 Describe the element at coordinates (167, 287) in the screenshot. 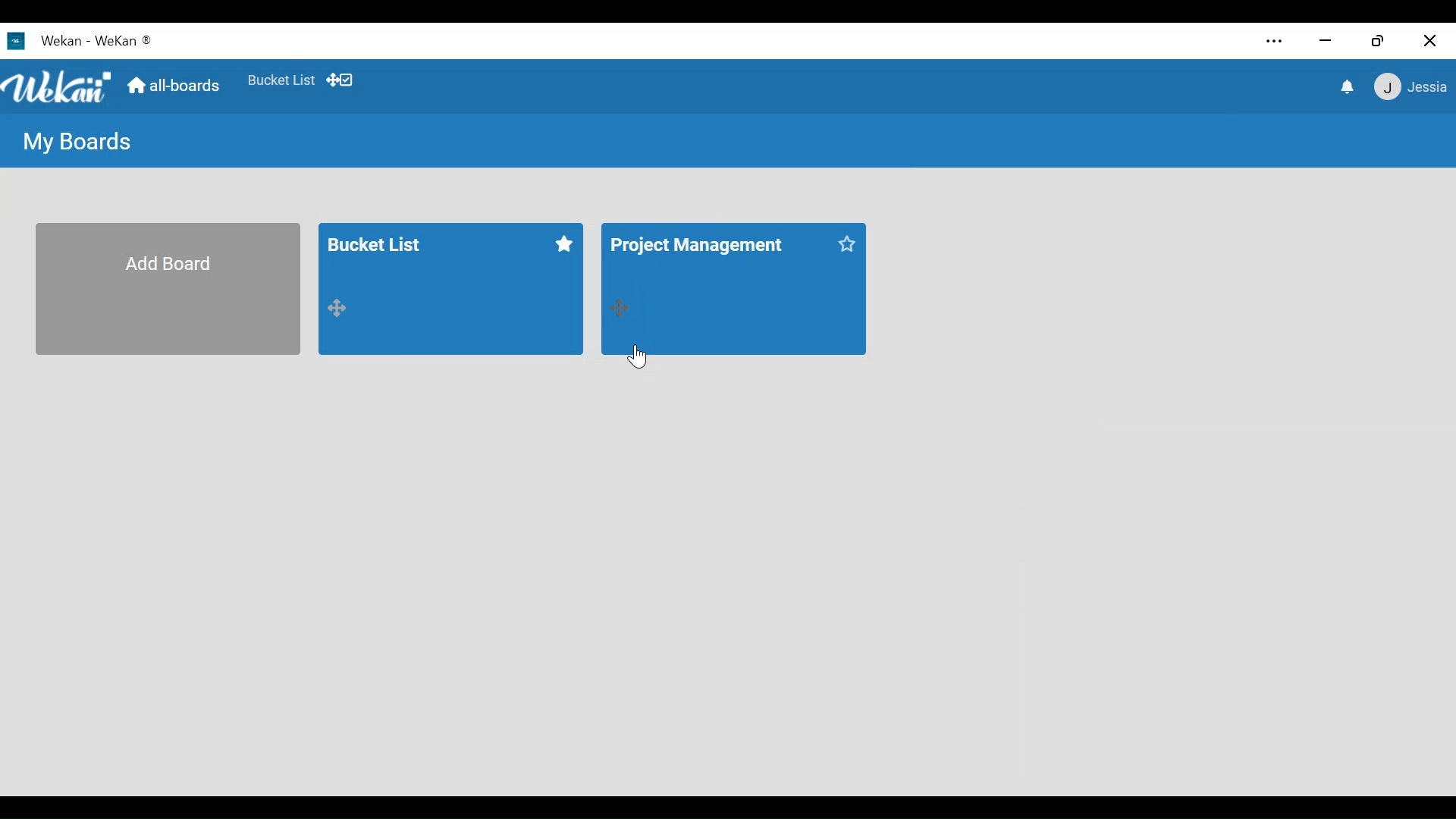

I see `Add Boards` at that location.